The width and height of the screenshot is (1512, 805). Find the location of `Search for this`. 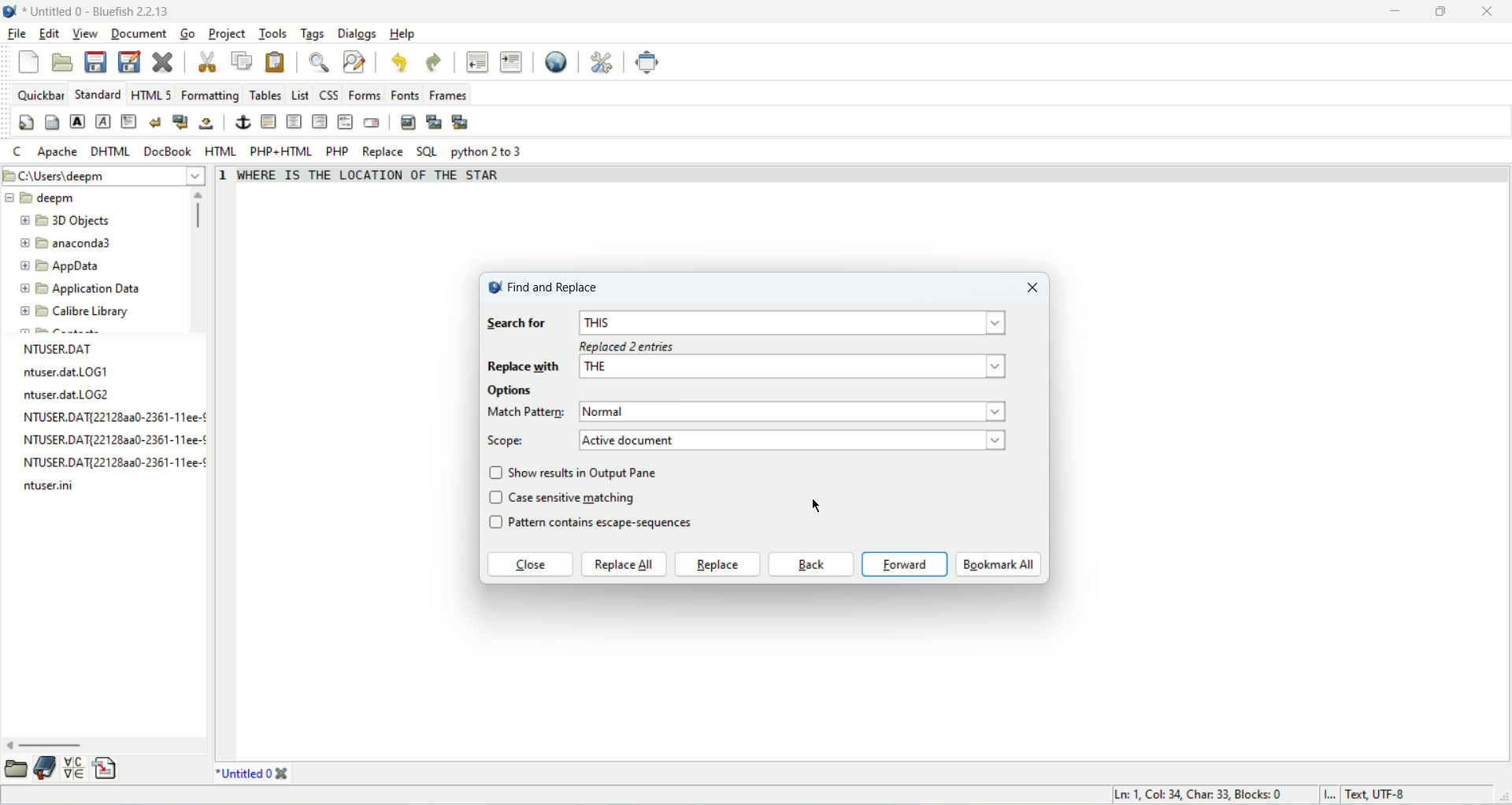

Search for this is located at coordinates (750, 324).